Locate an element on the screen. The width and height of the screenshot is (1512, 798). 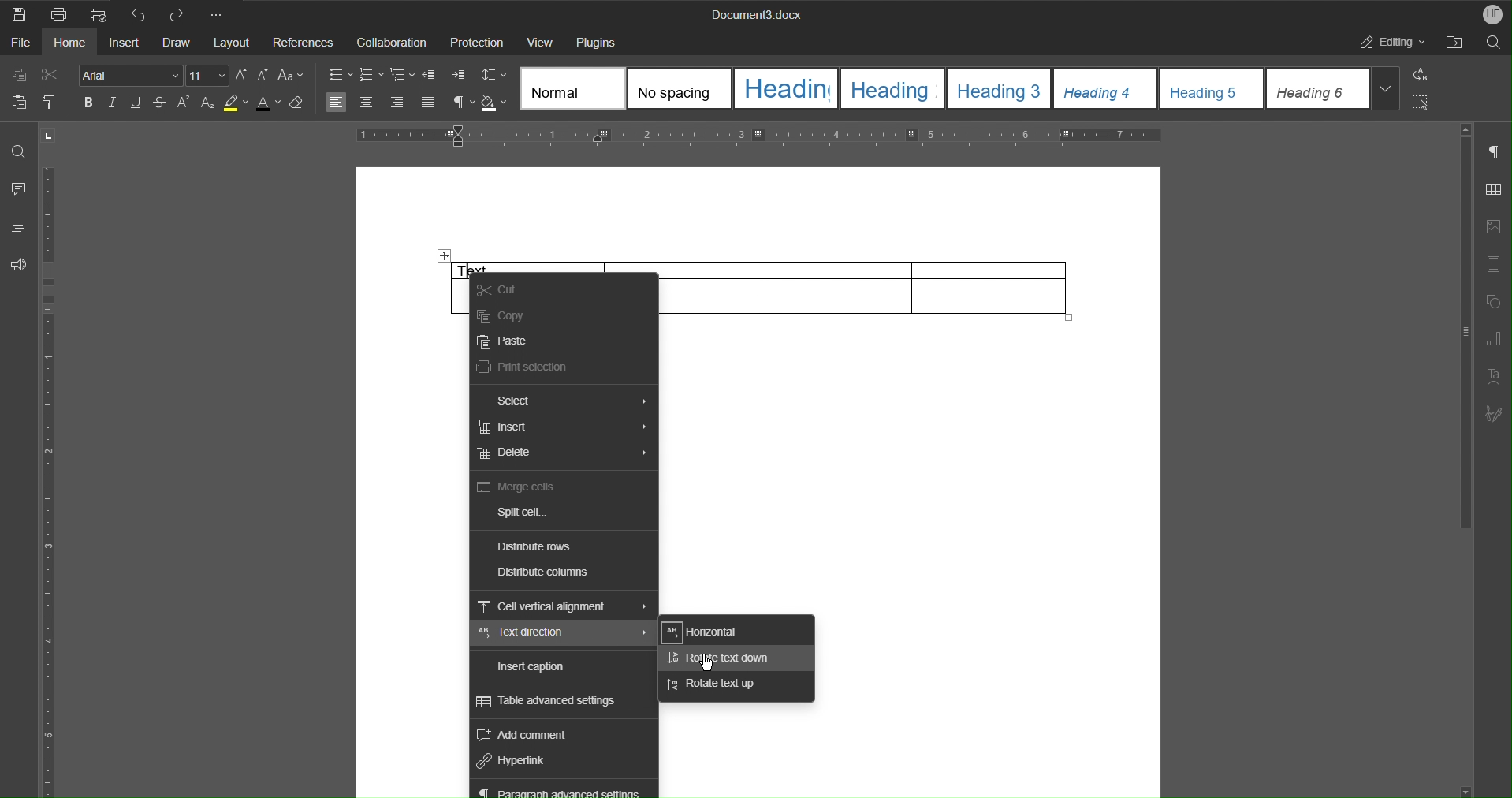
Text Color is located at coordinates (270, 103).